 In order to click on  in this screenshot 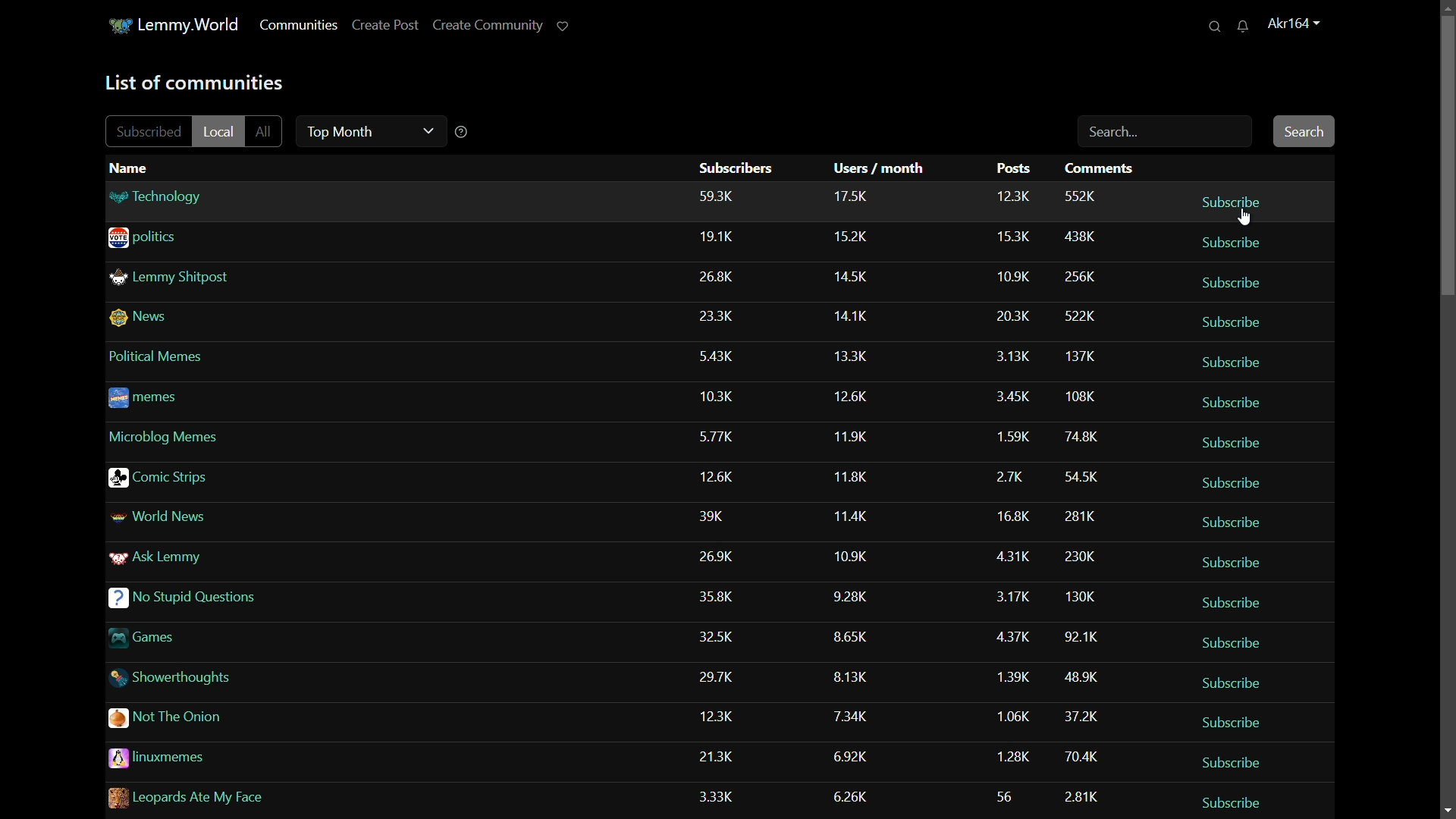, I will do `click(723, 240)`.